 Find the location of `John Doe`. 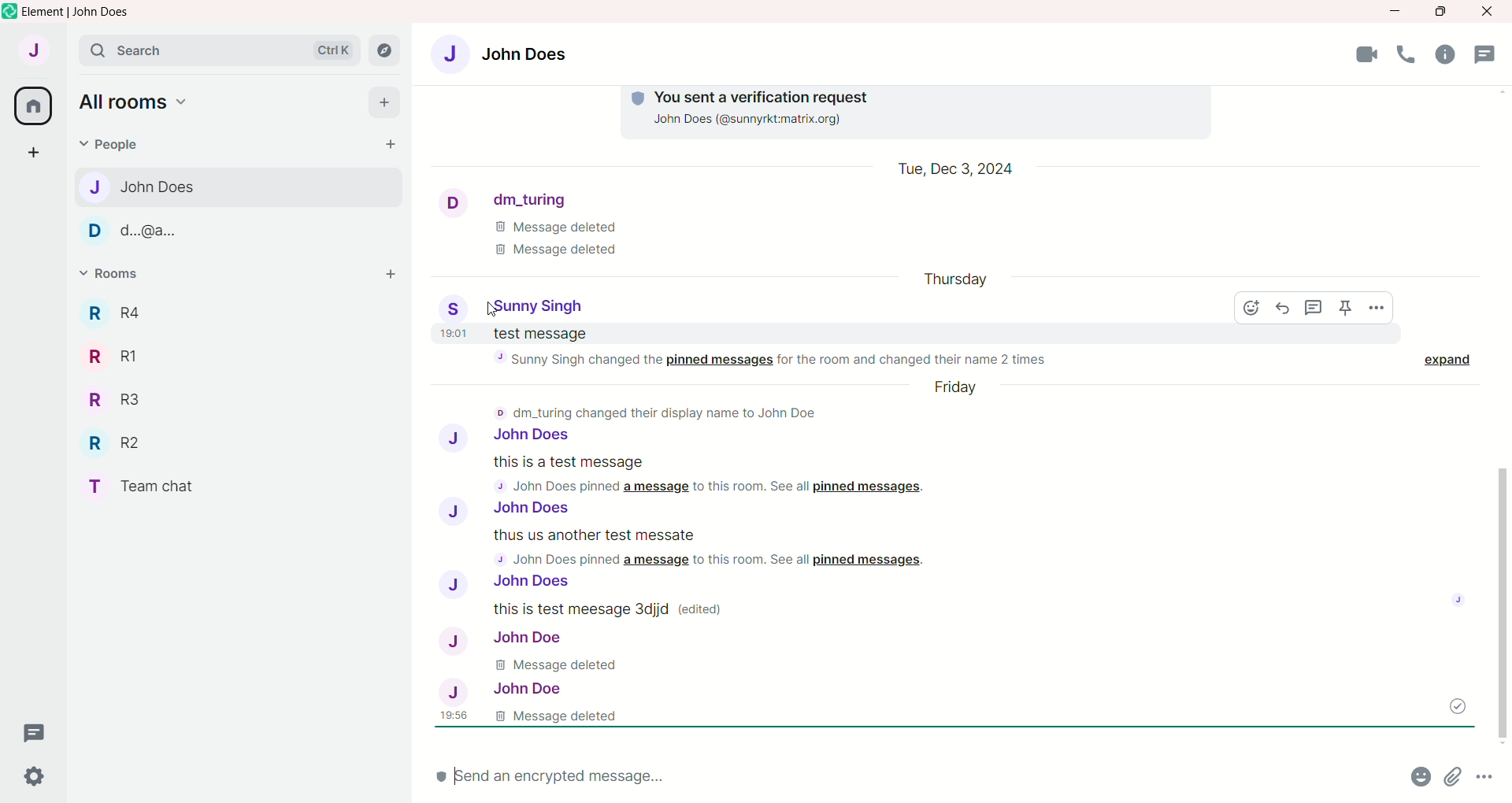

John Doe is located at coordinates (508, 509).